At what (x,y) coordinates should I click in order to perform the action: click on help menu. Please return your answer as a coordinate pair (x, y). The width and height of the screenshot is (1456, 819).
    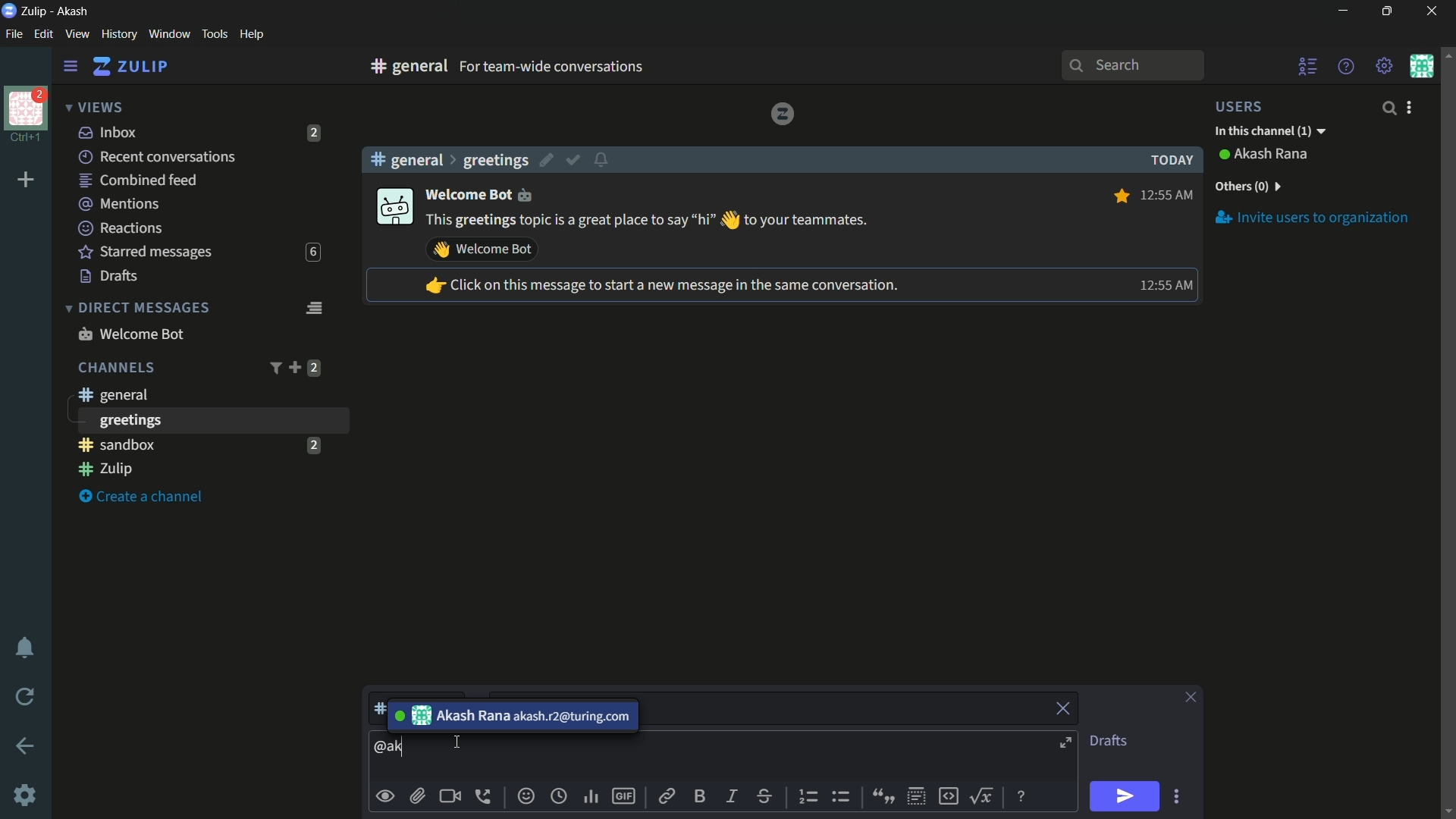
    Looking at the image, I should click on (251, 35).